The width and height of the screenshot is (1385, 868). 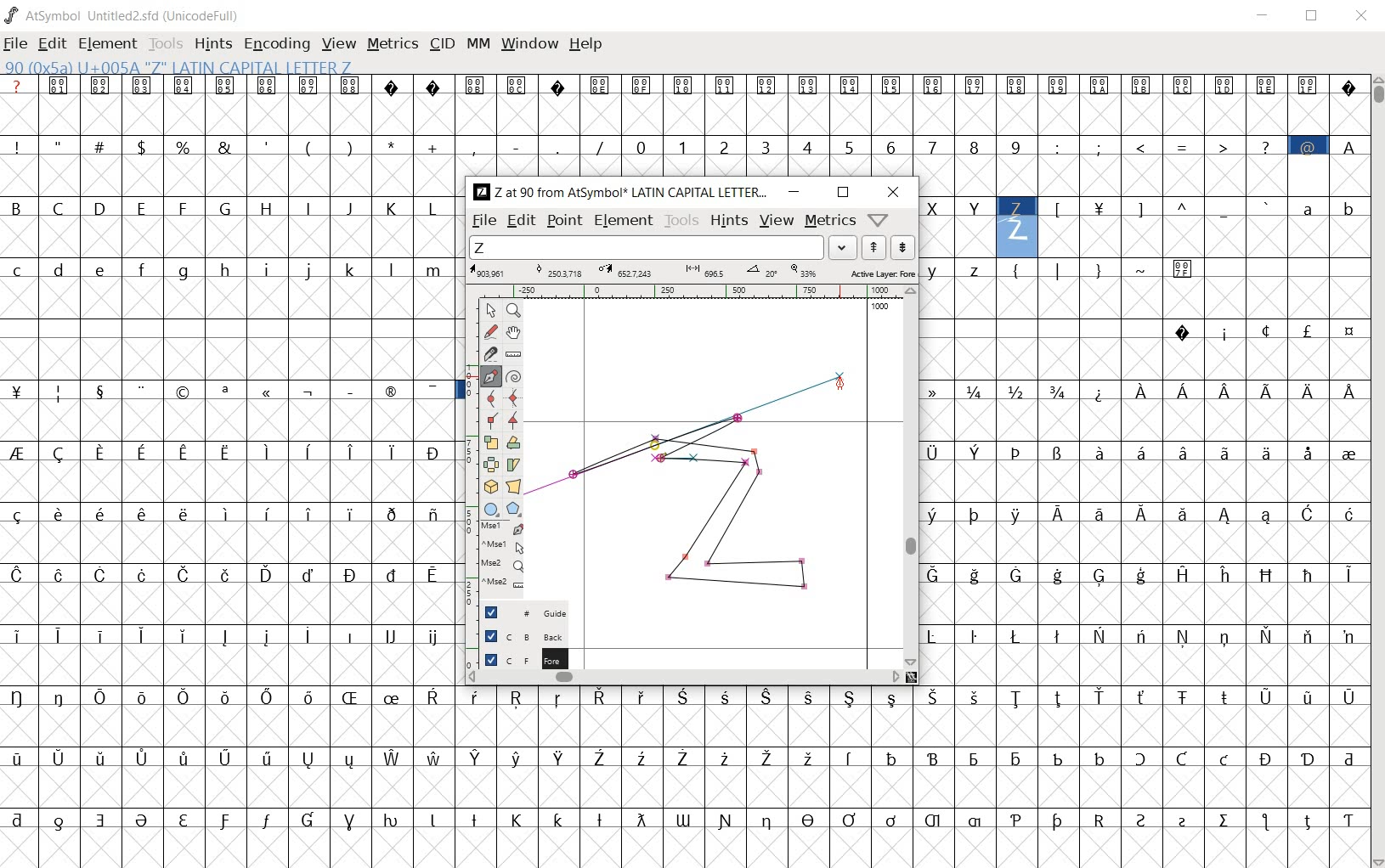 What do you see at coordinates (529, 44) in the screenshot?
I see `window` at bounding box center [529, 44].